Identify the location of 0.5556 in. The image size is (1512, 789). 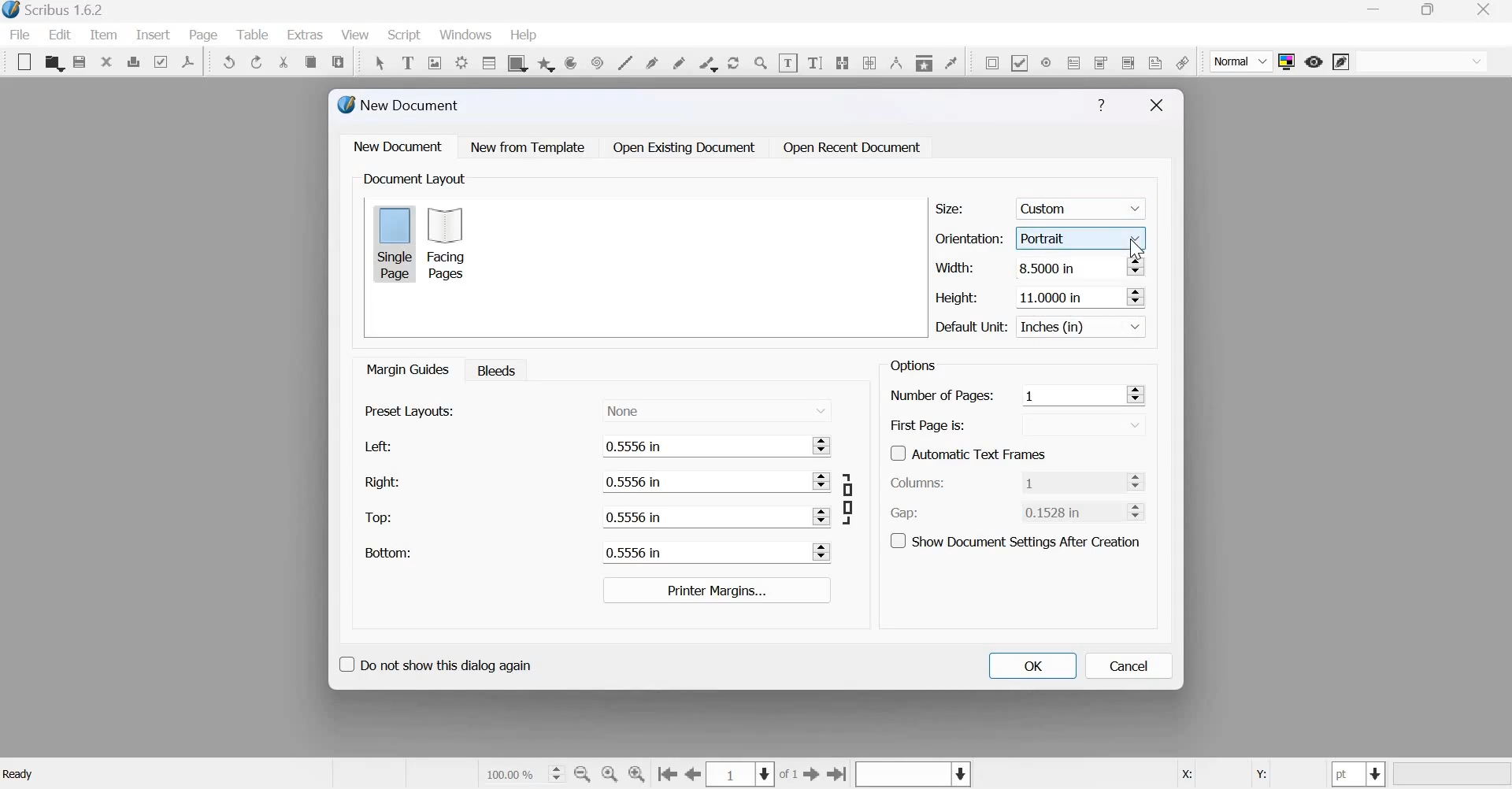
(697, 482).